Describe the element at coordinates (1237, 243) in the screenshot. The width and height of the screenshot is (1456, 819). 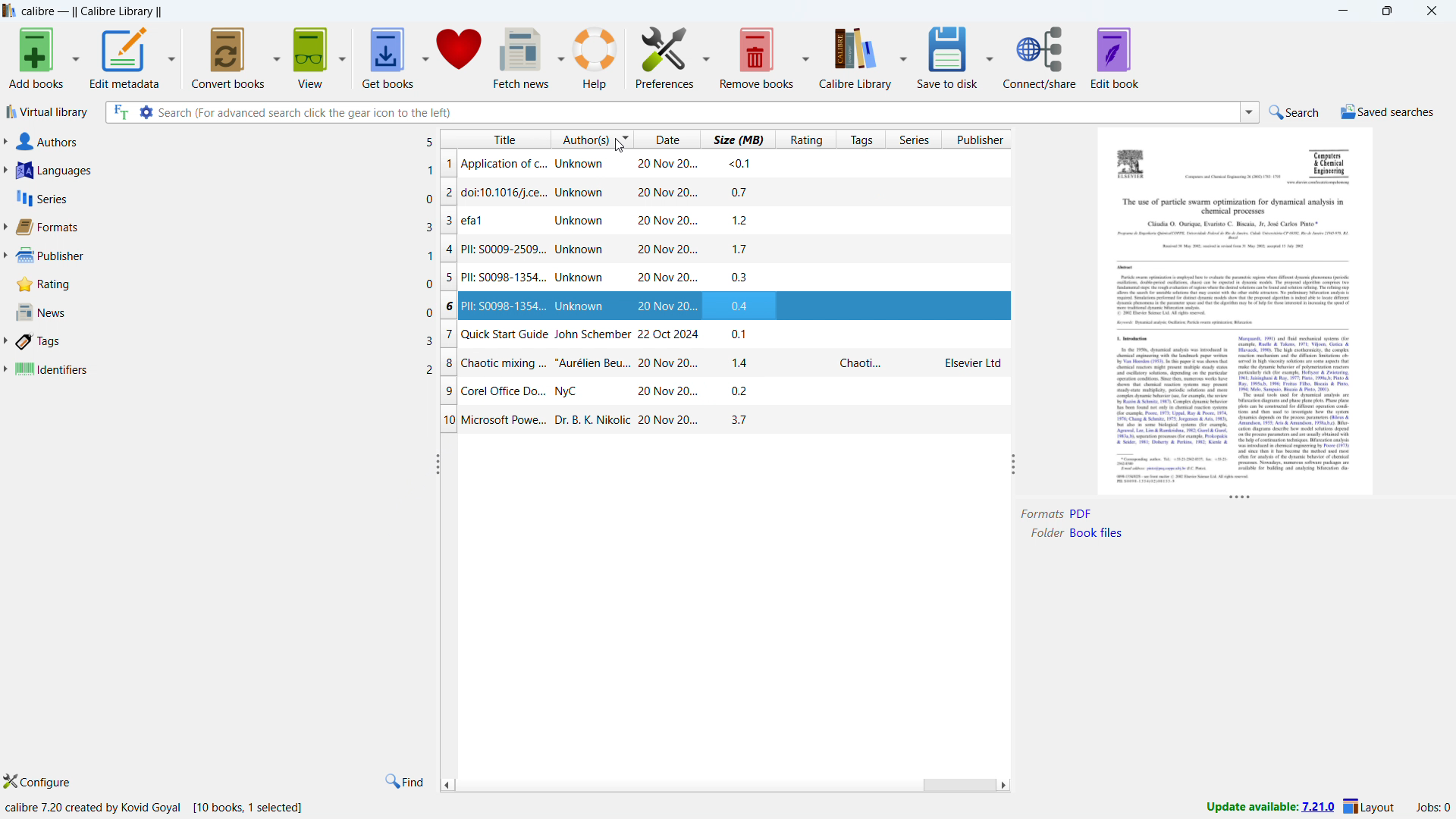
I see `` at that location.